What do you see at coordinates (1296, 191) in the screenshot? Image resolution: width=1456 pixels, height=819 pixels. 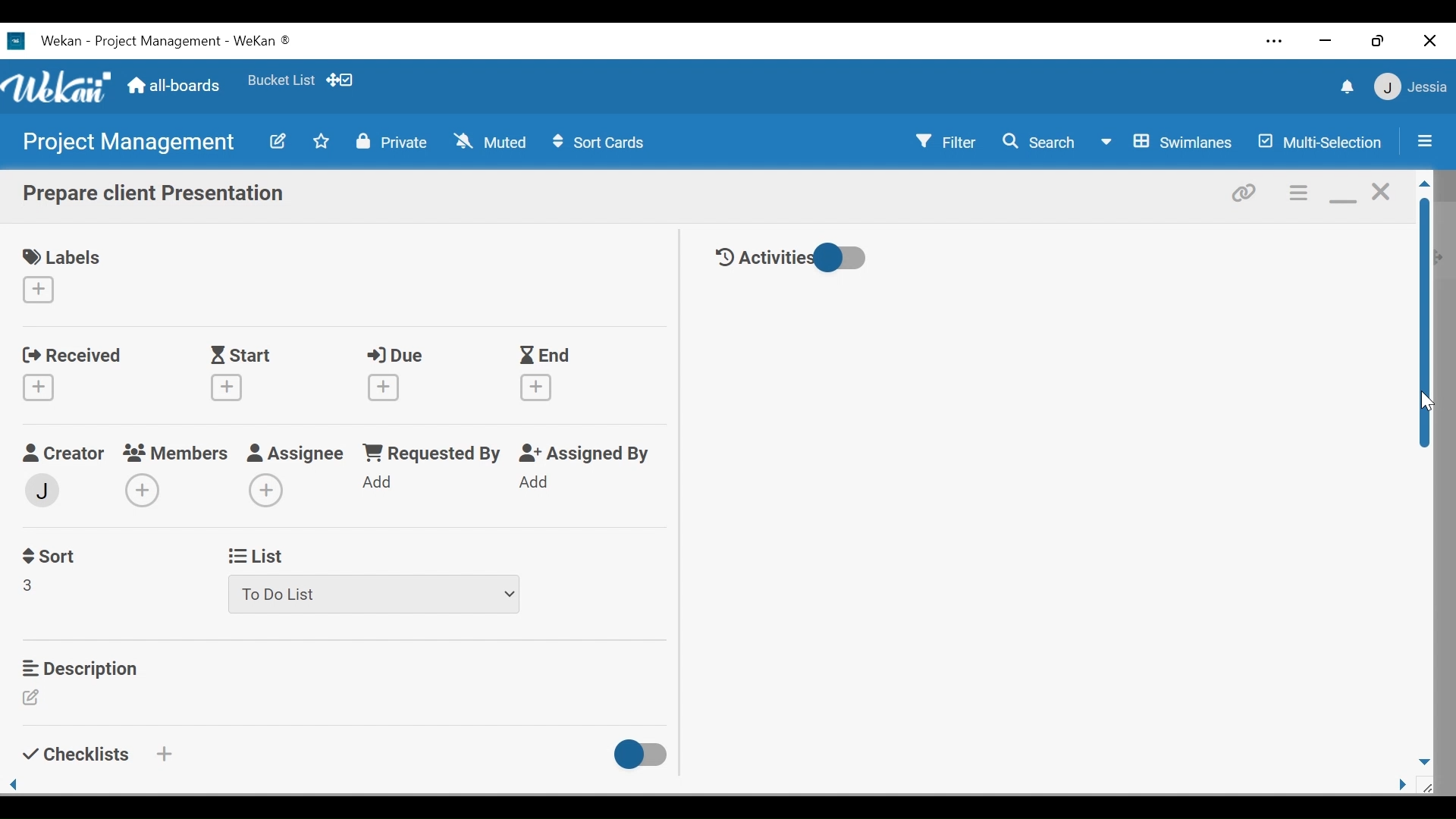 I see `Card actions` at bounding box center [1296, 191].